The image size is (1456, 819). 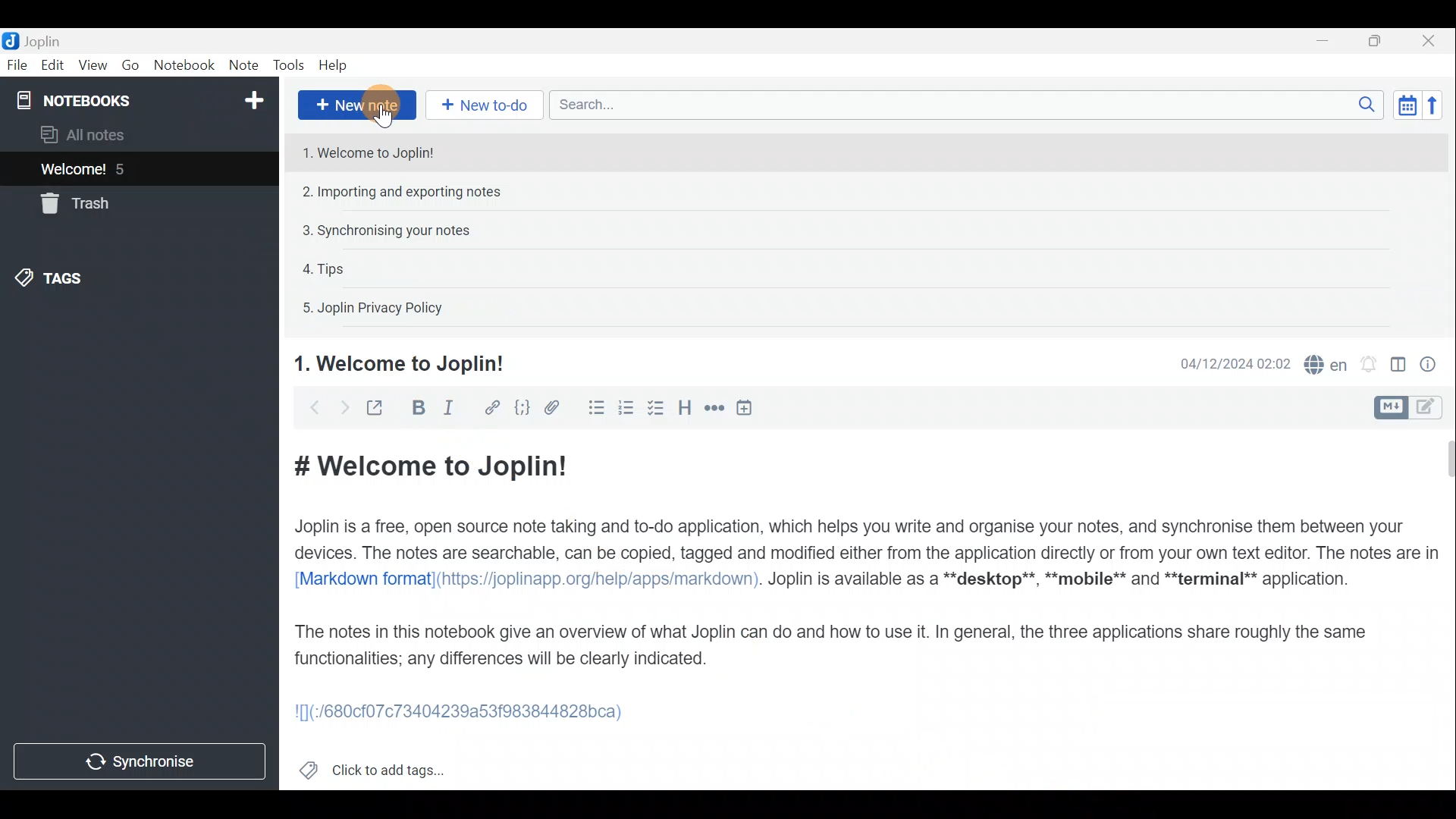 I want to click on # Welcome to Joplin!, so click(x=428, y=466).